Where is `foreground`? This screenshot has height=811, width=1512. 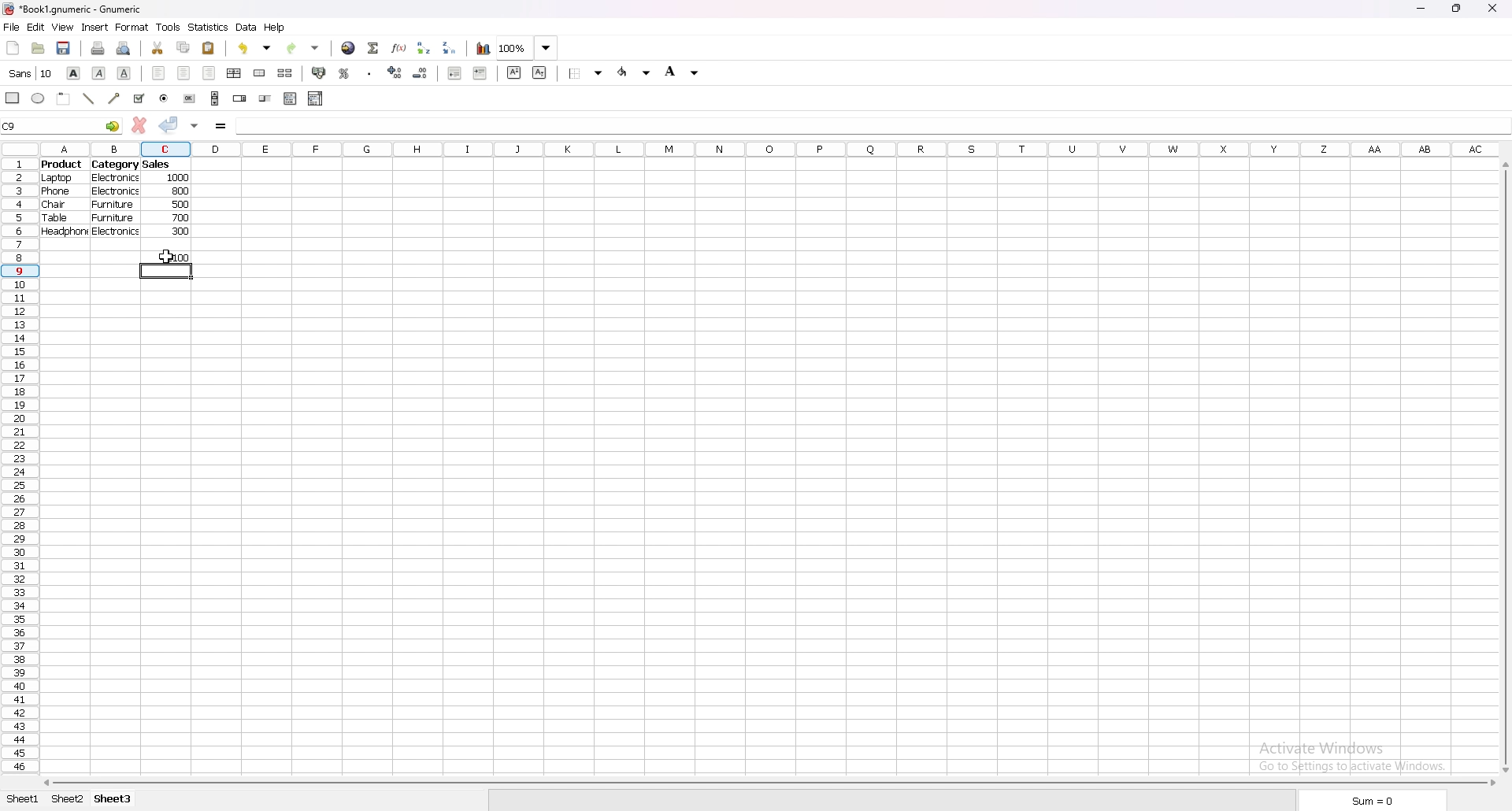 foreground is located at coordinates (636, 72).